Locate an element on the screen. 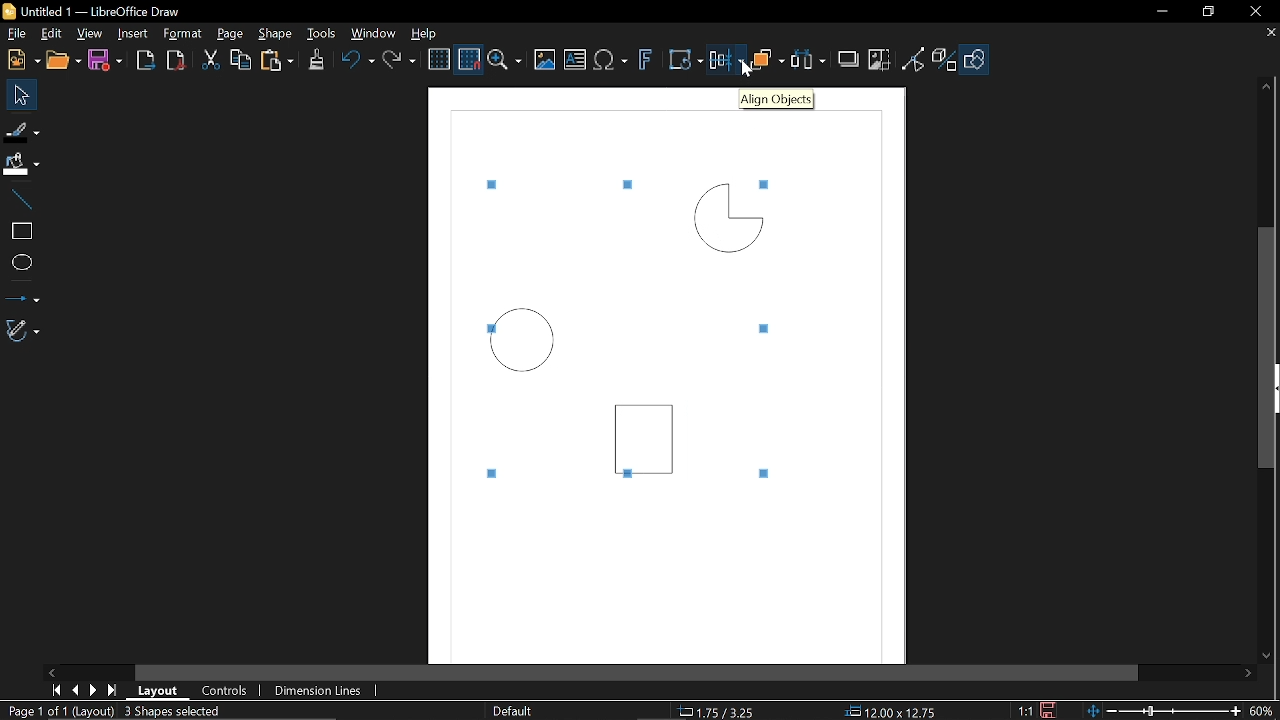 Image resolution: width=1280 pixels, height=720 pixels. Move up is located at coordinates (1270, 88).